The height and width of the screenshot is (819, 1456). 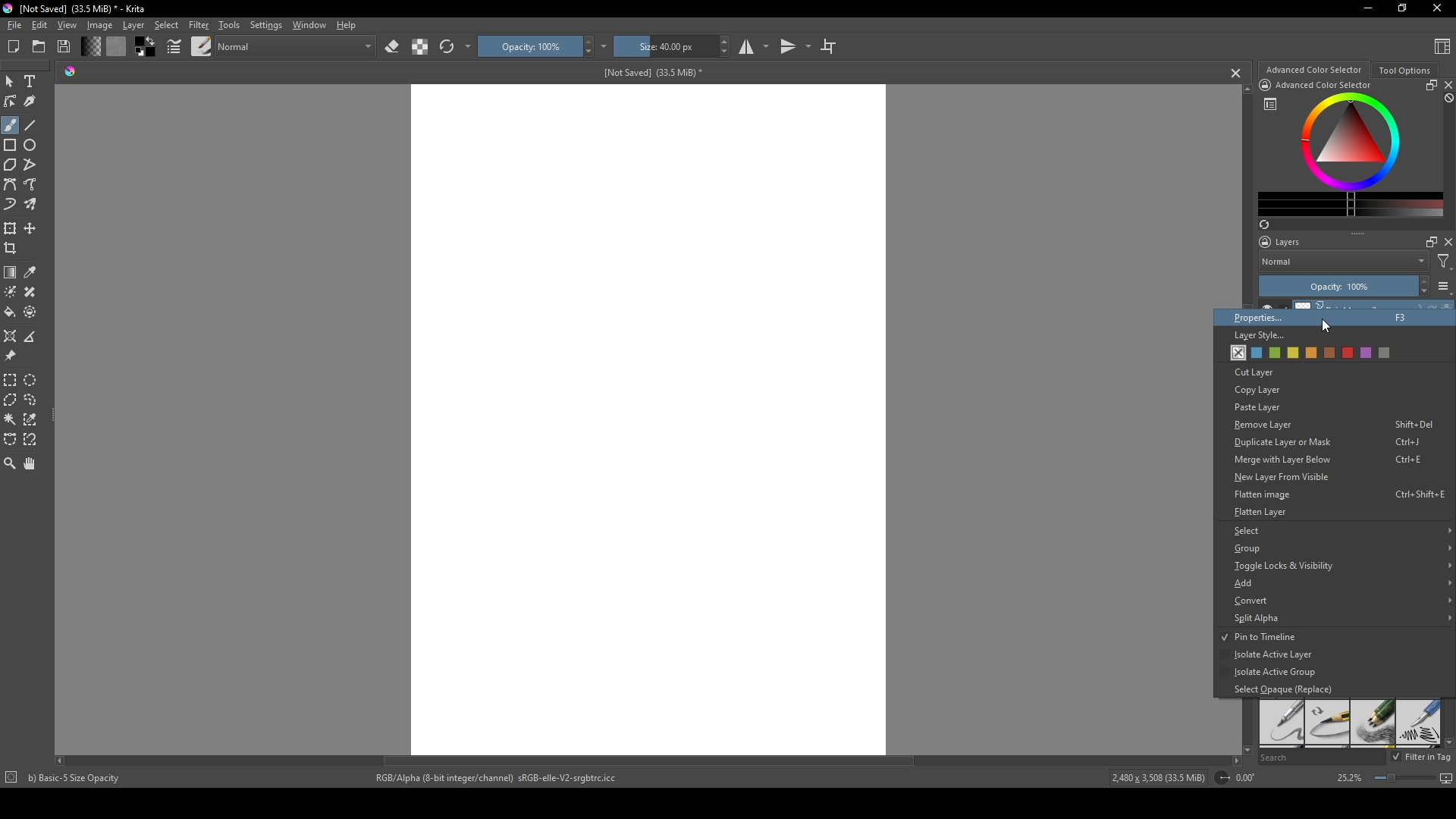 I want to click on sharp pencil, so click(x=1281, y=723).